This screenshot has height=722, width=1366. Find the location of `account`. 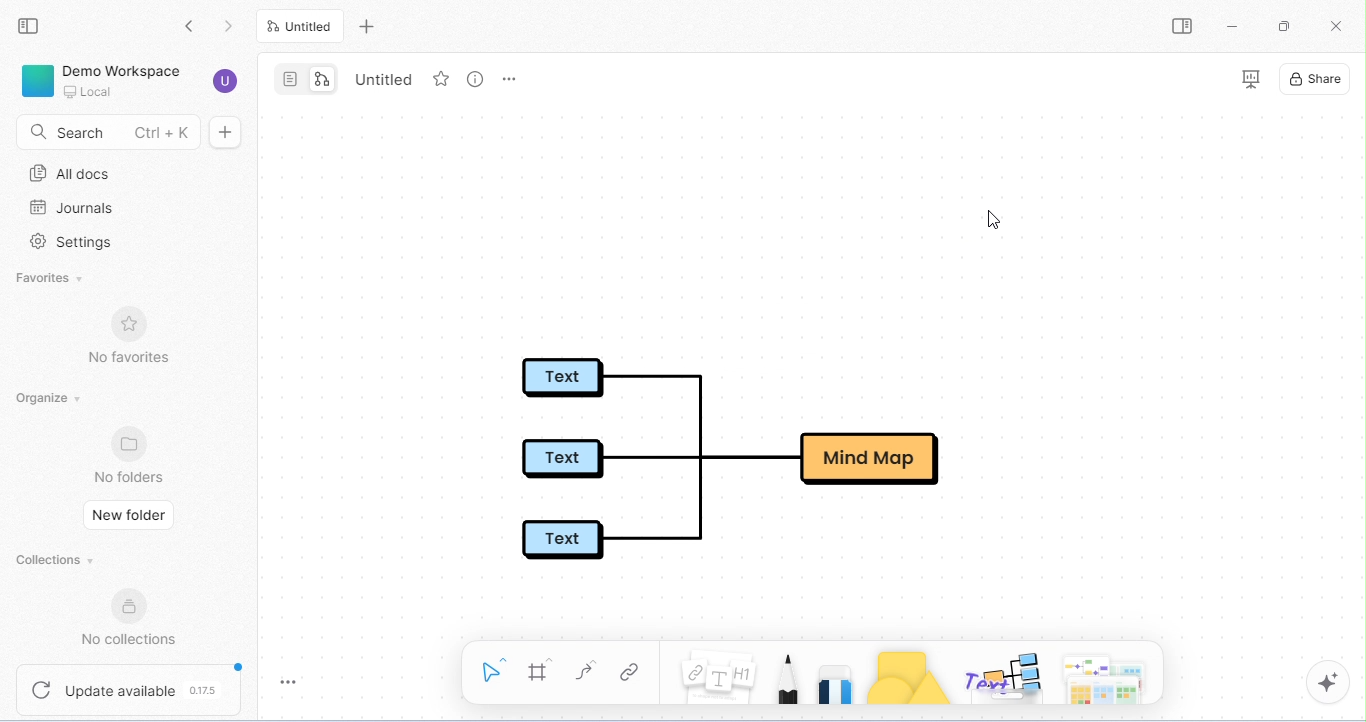

account is located at coordinates (224, 80).